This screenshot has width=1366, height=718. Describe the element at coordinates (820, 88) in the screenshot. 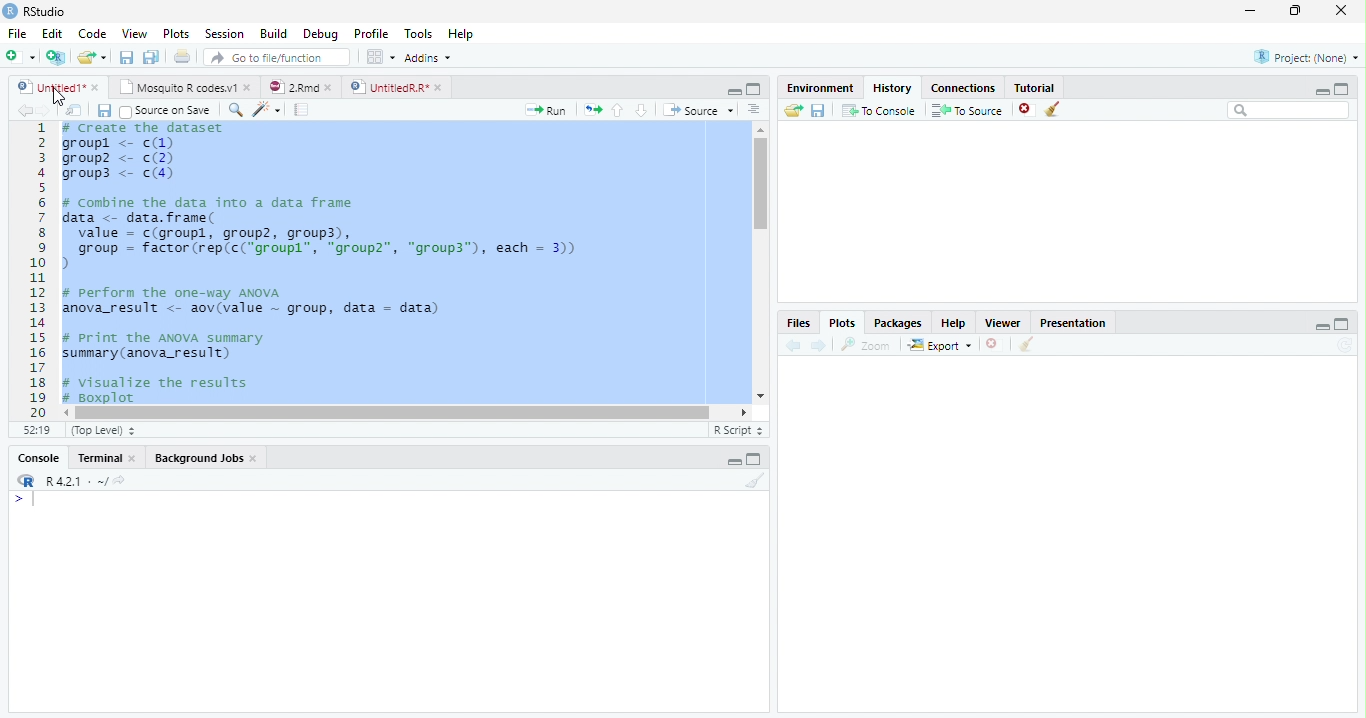

I see `Environment` at that location.